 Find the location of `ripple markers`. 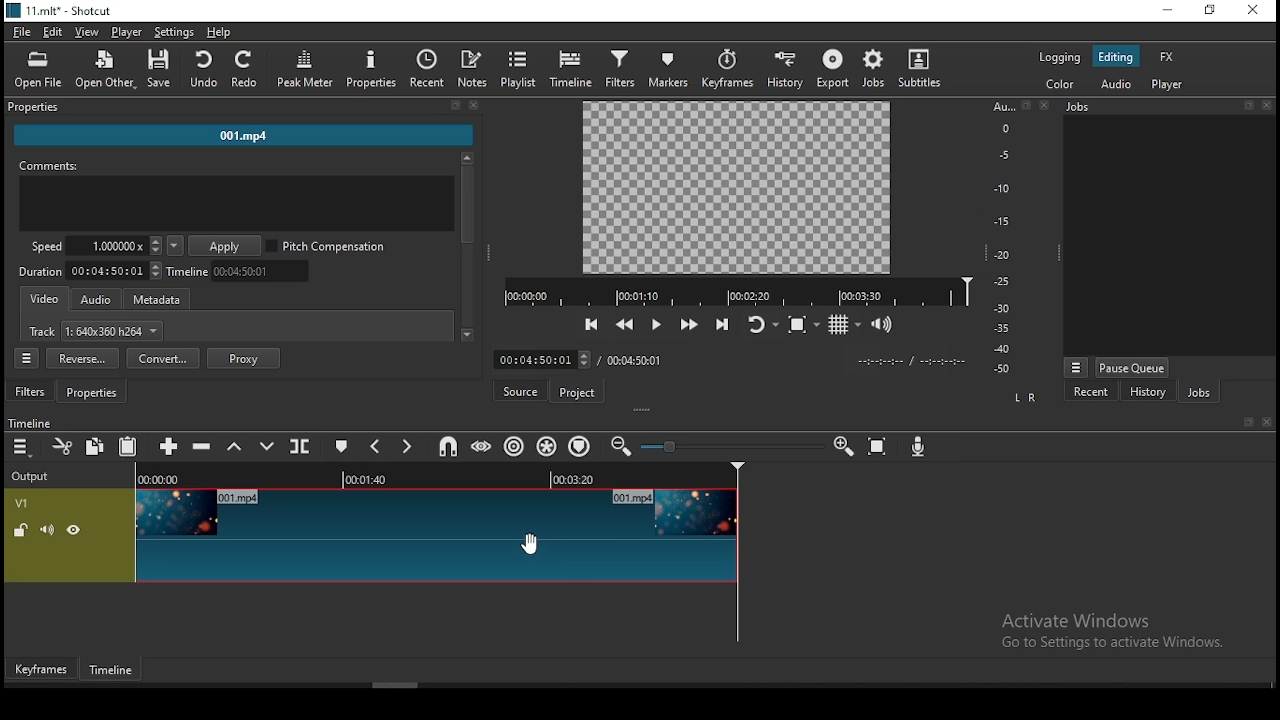

ripple markers is located at coordinates (582, 444).